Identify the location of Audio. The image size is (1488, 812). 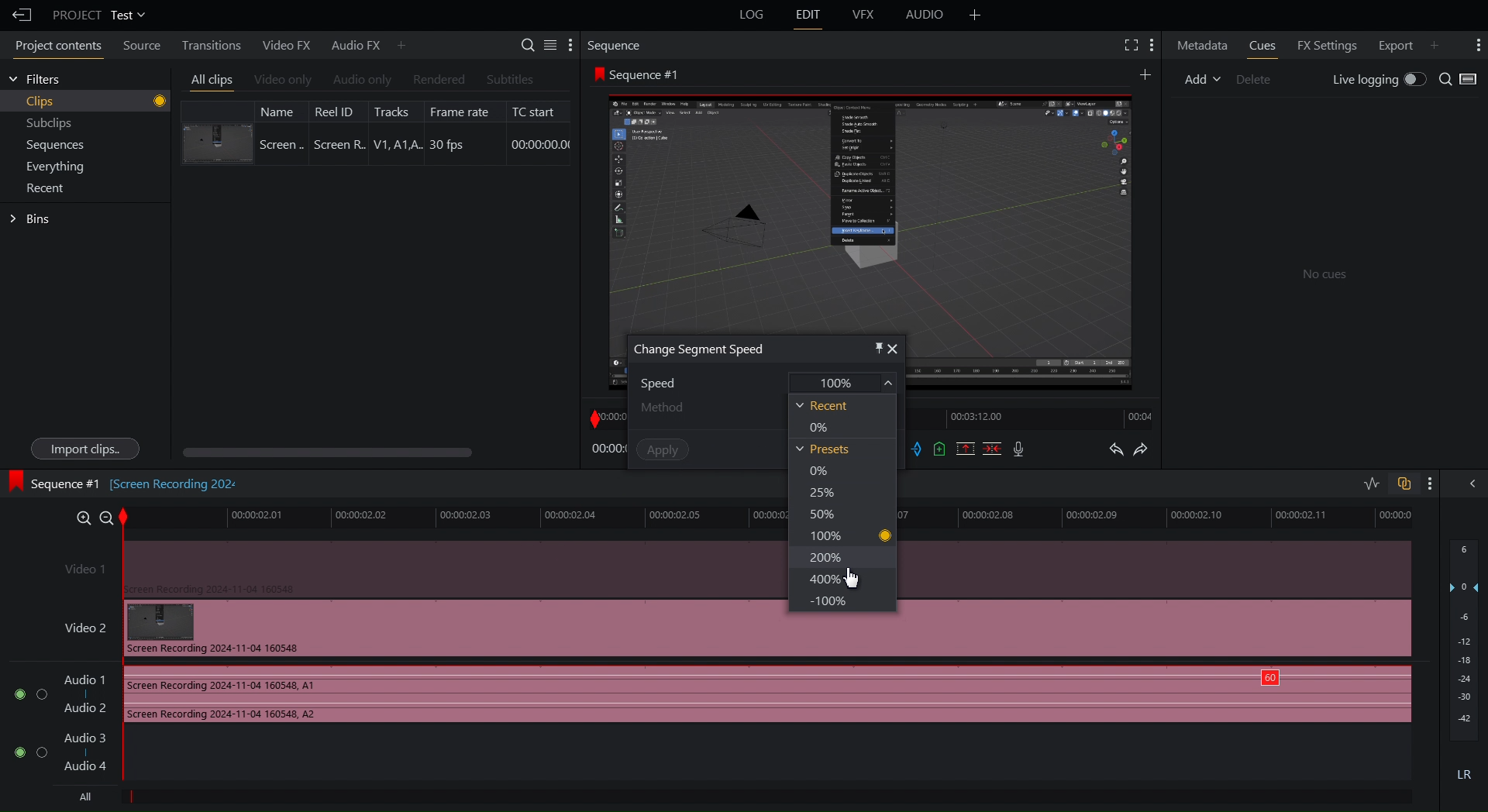
(925, 17).